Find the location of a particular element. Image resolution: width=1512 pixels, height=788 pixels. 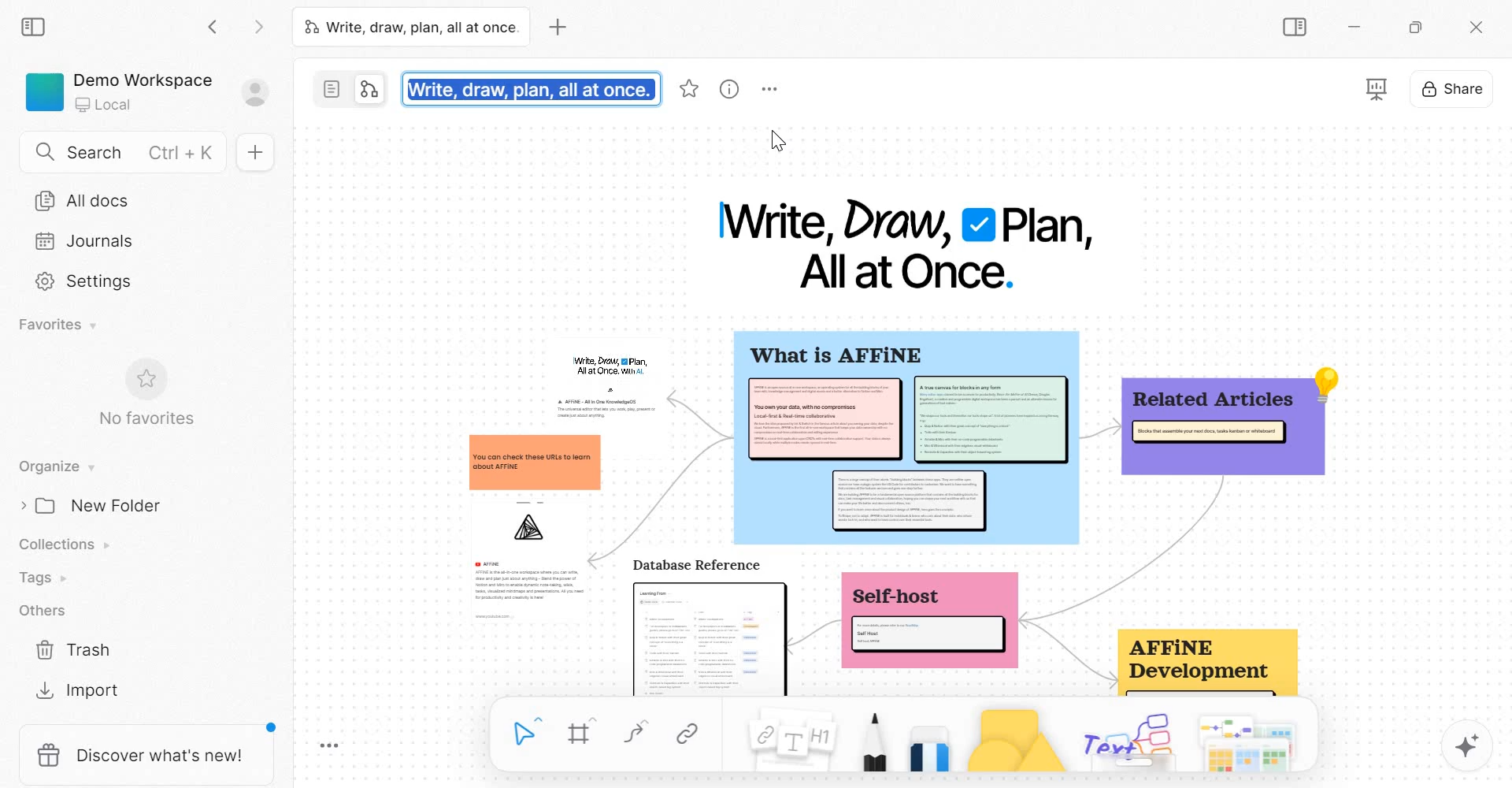

All docs is located at coordinates (138, 200).